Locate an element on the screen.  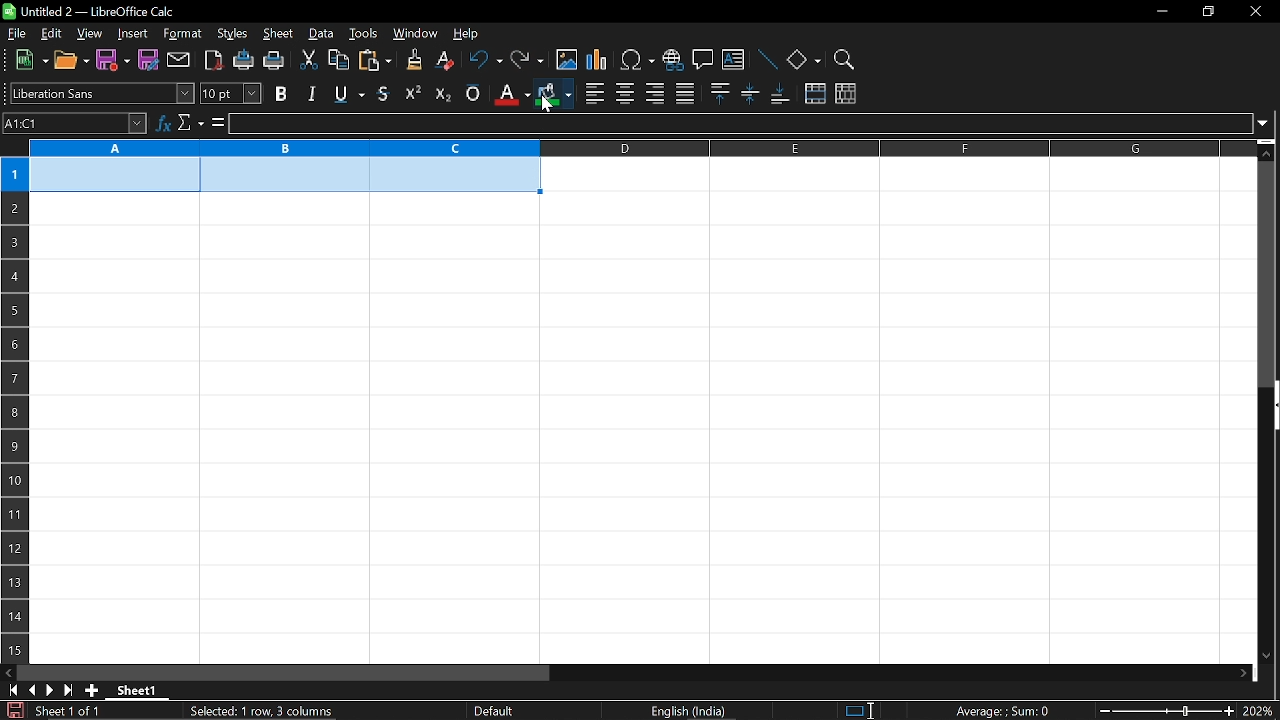
standard selection is located at coordinates (860, 711).